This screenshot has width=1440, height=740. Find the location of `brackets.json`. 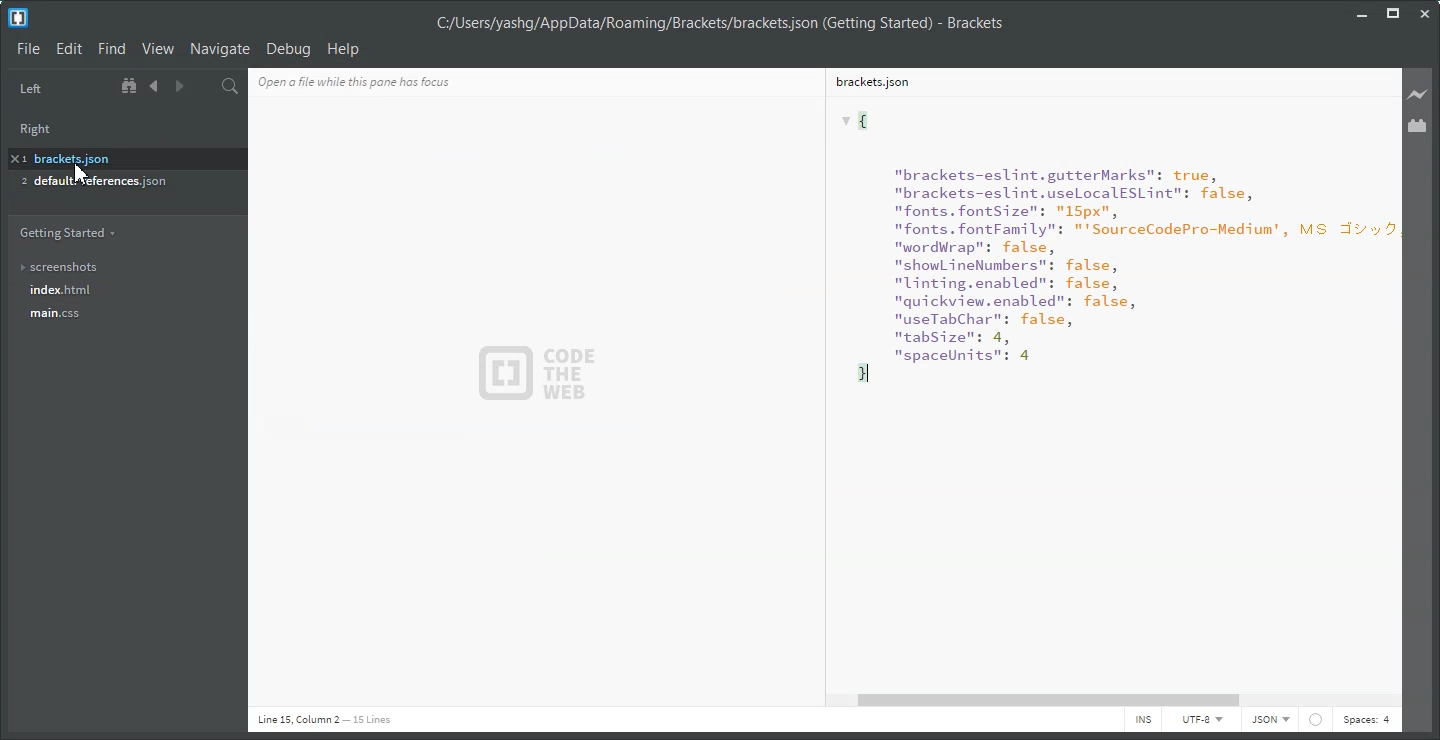

brackets.json is located at coordinates (121, 157).